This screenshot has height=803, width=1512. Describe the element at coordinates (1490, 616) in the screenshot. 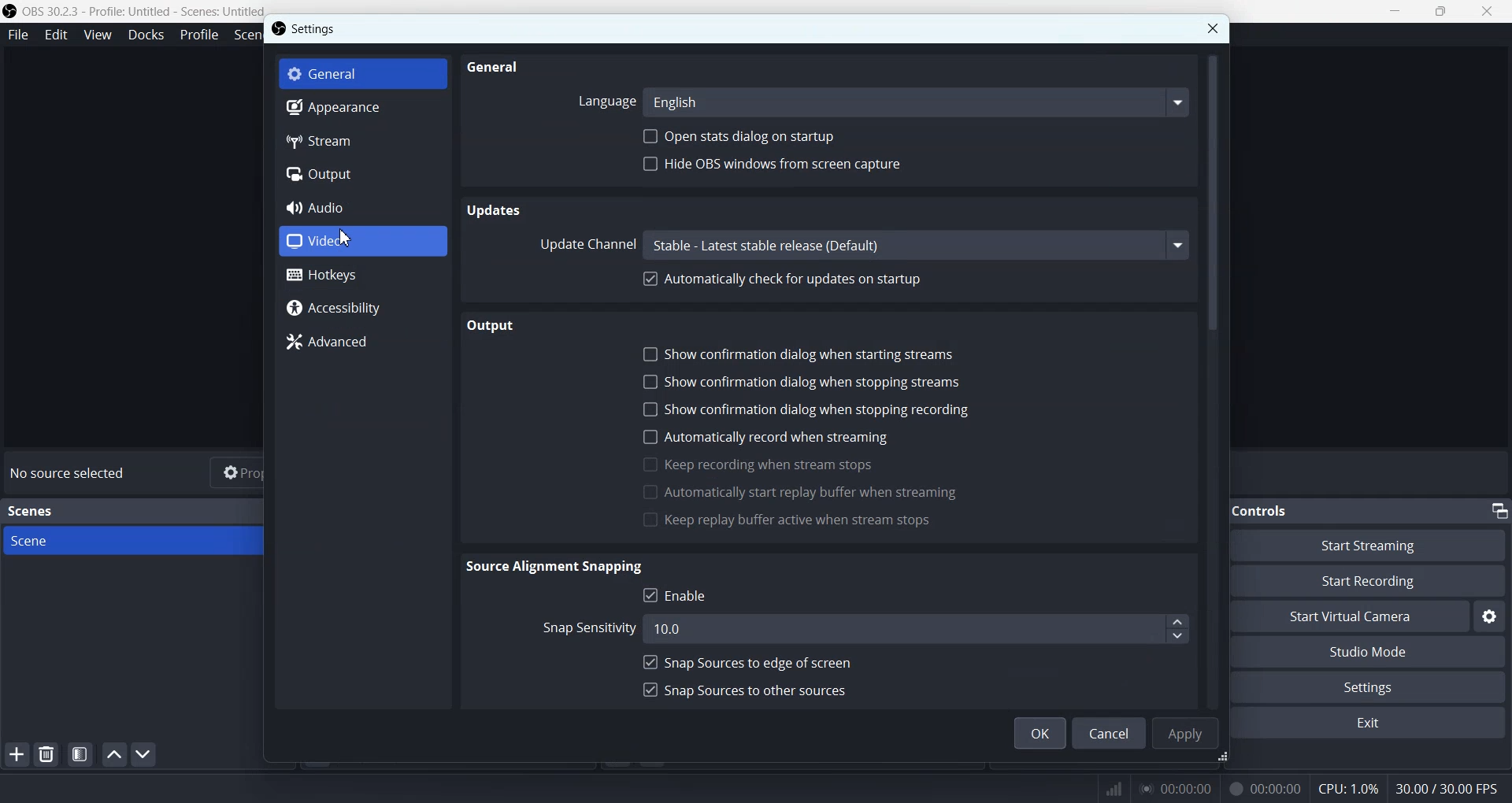

I see `Settings` at that location.